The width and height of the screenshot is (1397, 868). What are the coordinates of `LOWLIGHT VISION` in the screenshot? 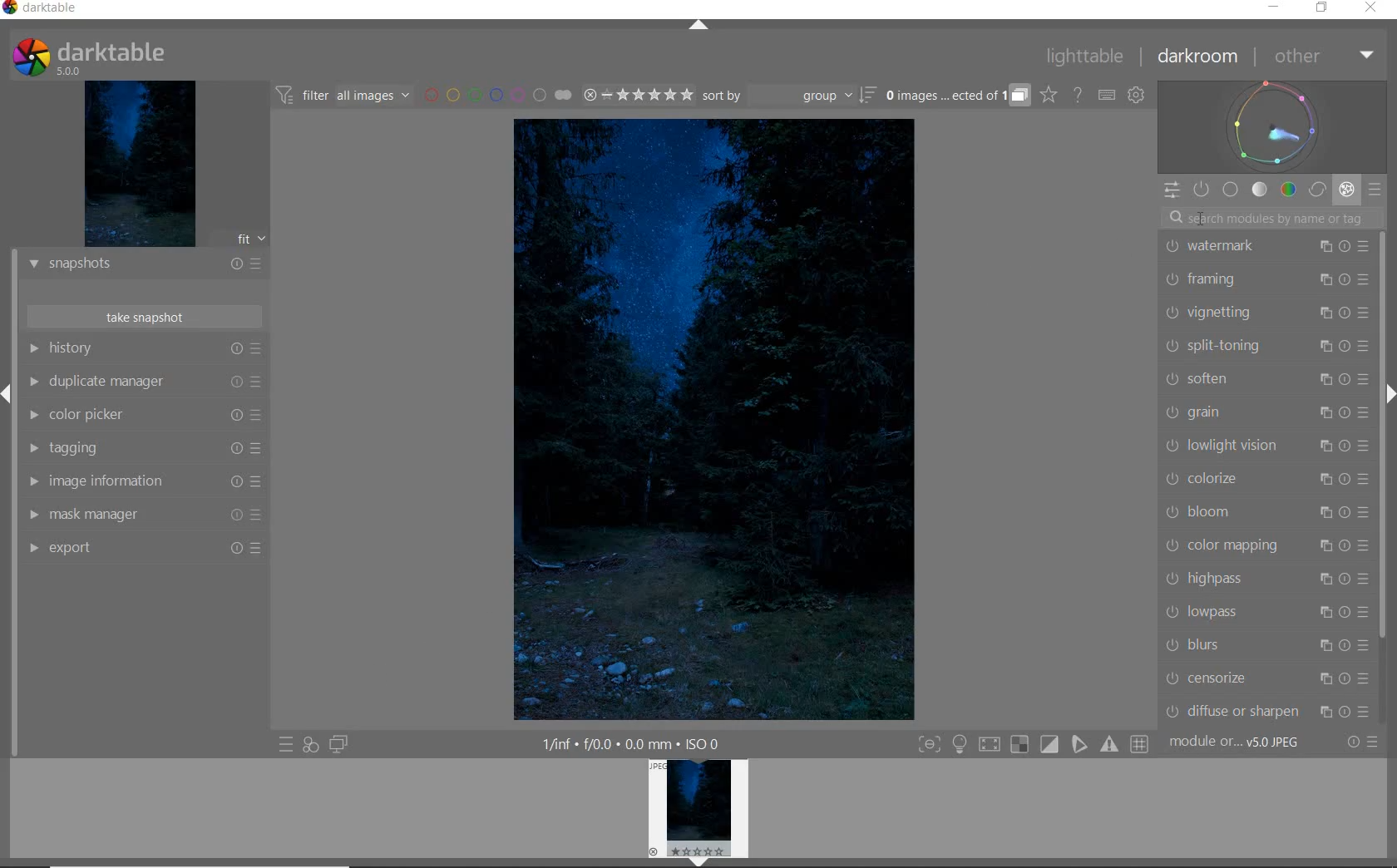 It's located at (1265, 446).